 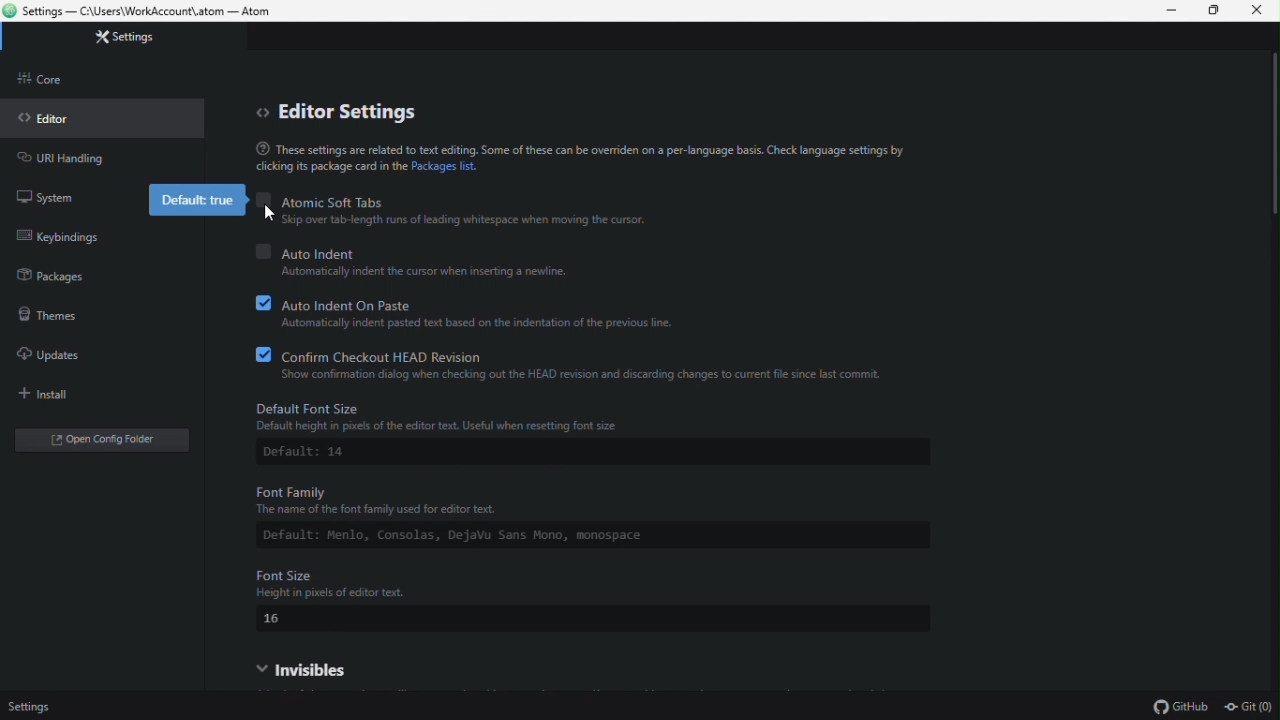 I want to click on Confirm check out head revision , so click(x=572, y=354).